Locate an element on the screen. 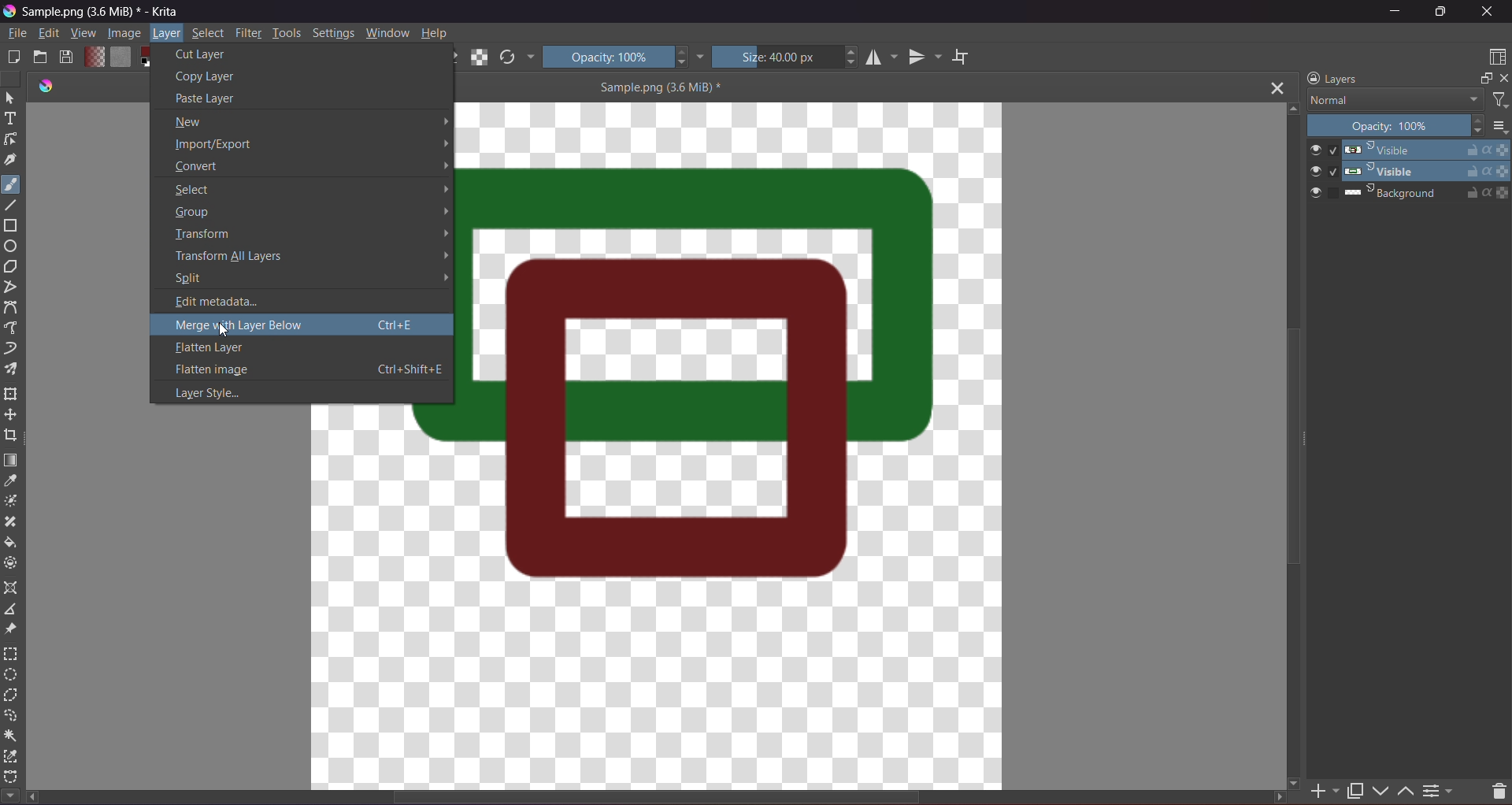 The width and height of the screenshot is (1512, 805). Move a layer is located at coordinates (12, 415).